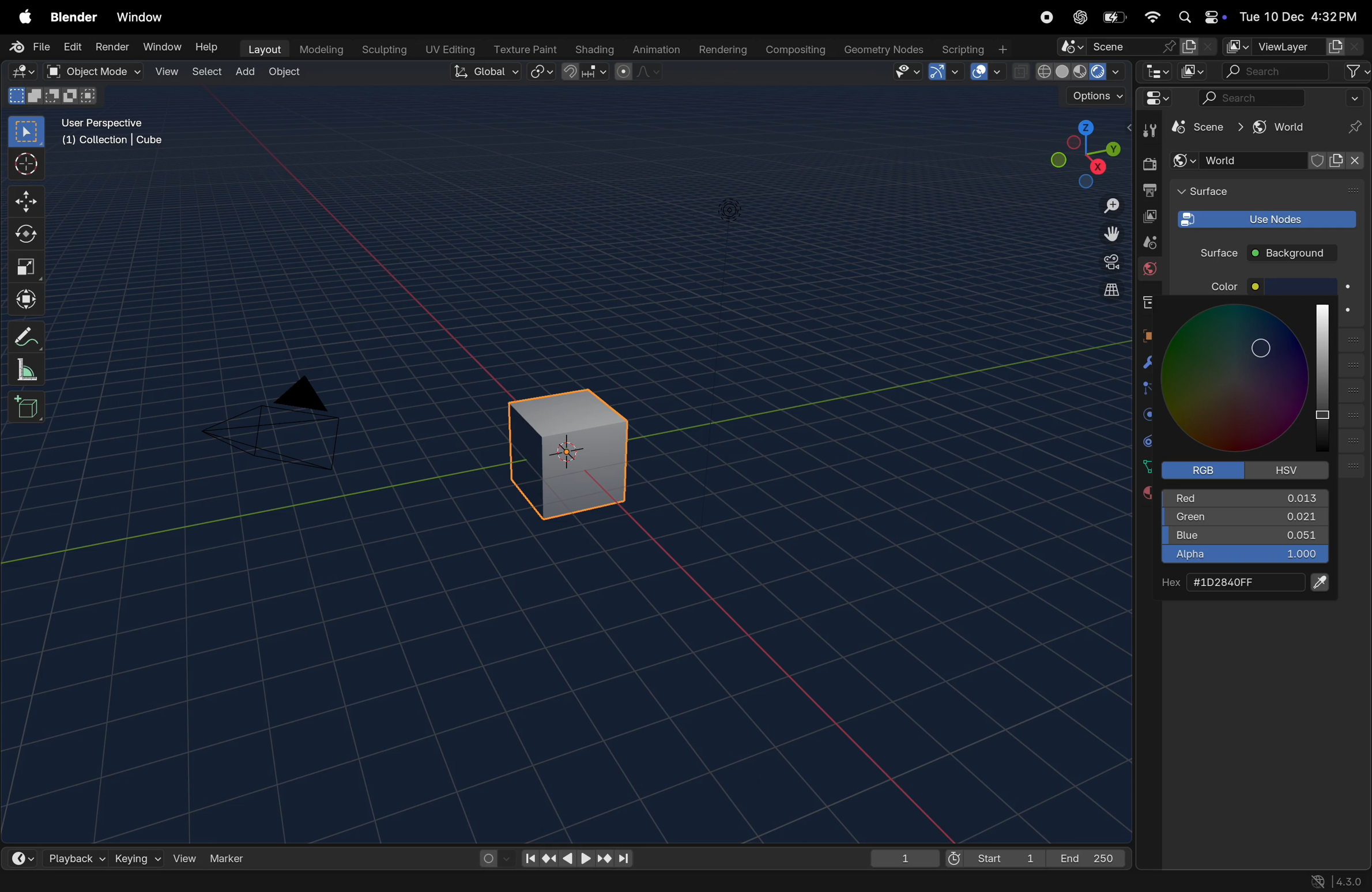 The width and height of the screenshot is (1372, 892). Describe the element at coordinates (1298, 13) in the screenshot. I see `date and time` at that location.